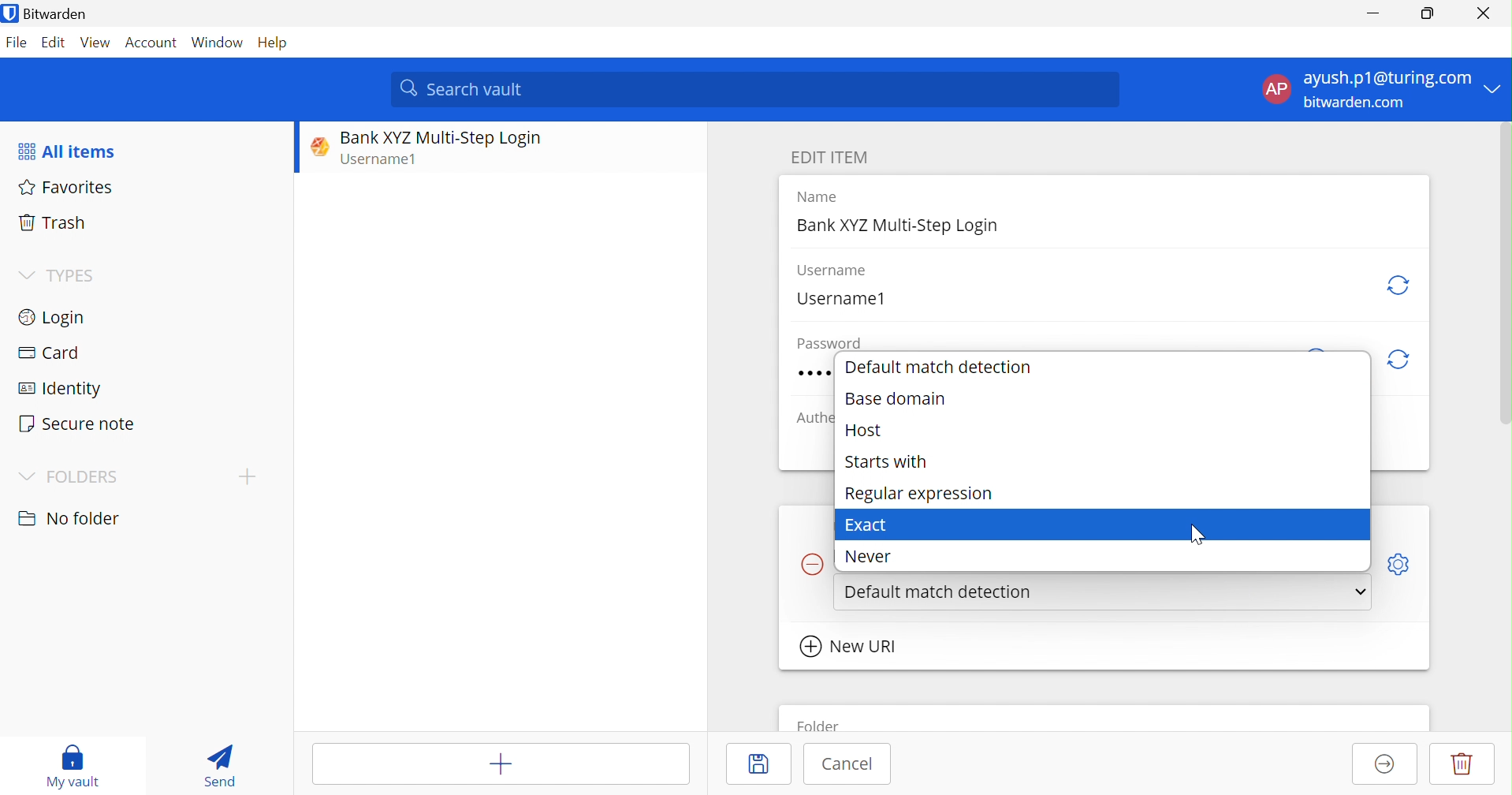 This screenshot has width=1512, height=795. I want to click on Edit, so click(53, 43).